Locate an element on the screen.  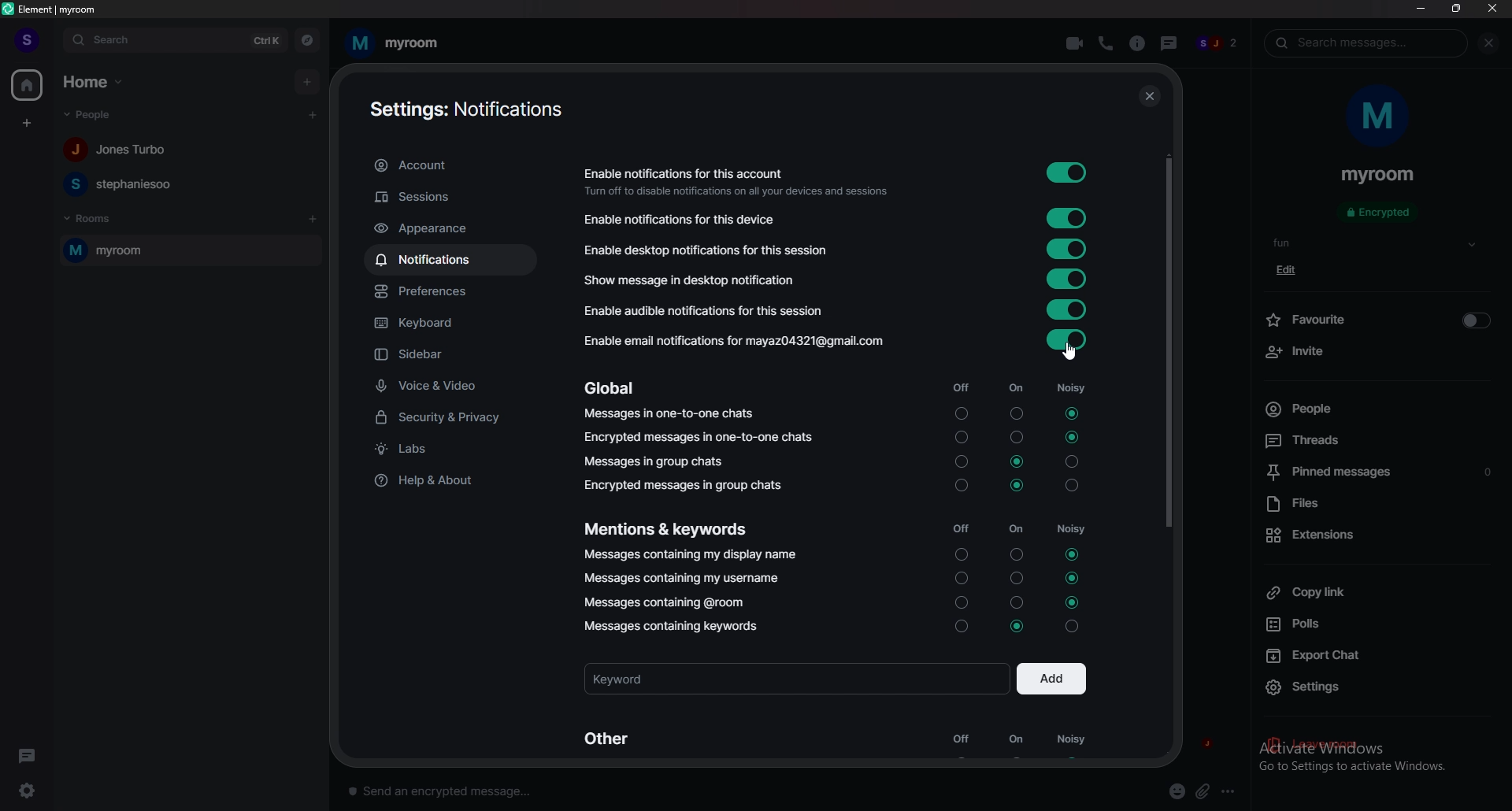
show message in desktop notification is located at coordinates (836, 279).